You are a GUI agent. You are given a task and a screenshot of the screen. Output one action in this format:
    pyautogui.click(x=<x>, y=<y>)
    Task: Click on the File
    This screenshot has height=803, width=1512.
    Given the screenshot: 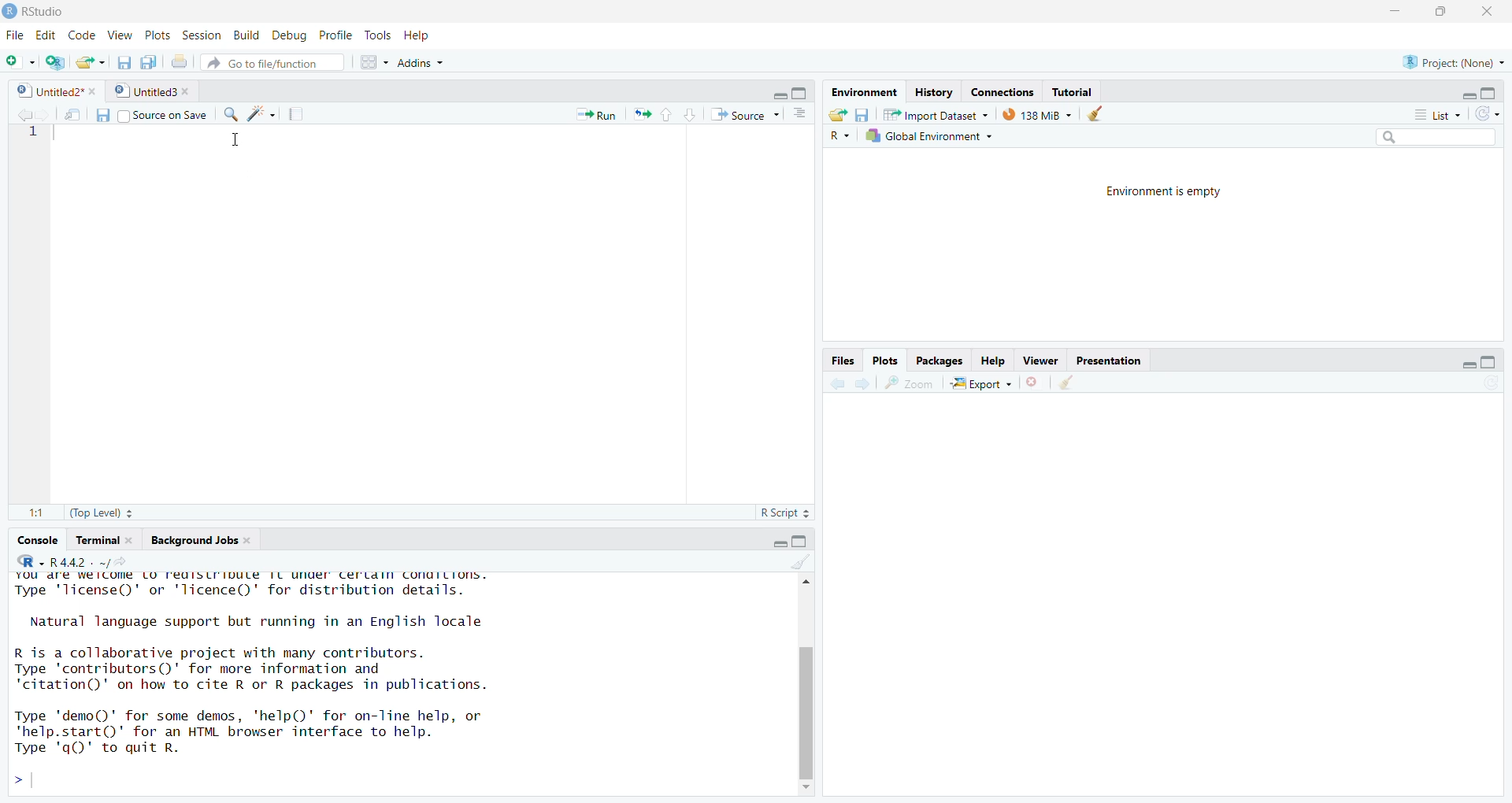 What is the action you would take?
    pyautogui.click(x=13, y=32)
    